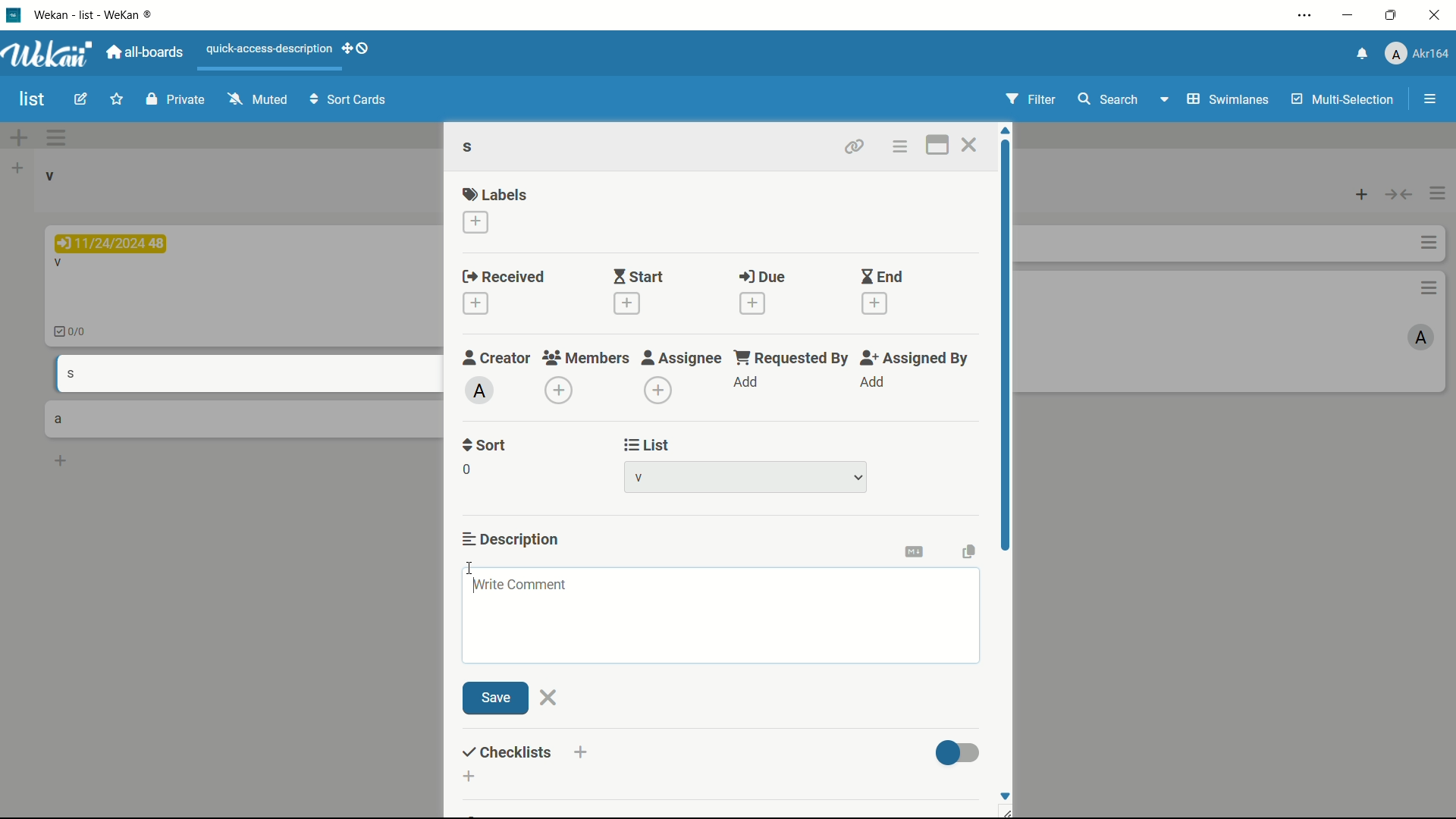  Describe the element at coordinates (497, 194) in the screenshot. I see `labels` at that location.